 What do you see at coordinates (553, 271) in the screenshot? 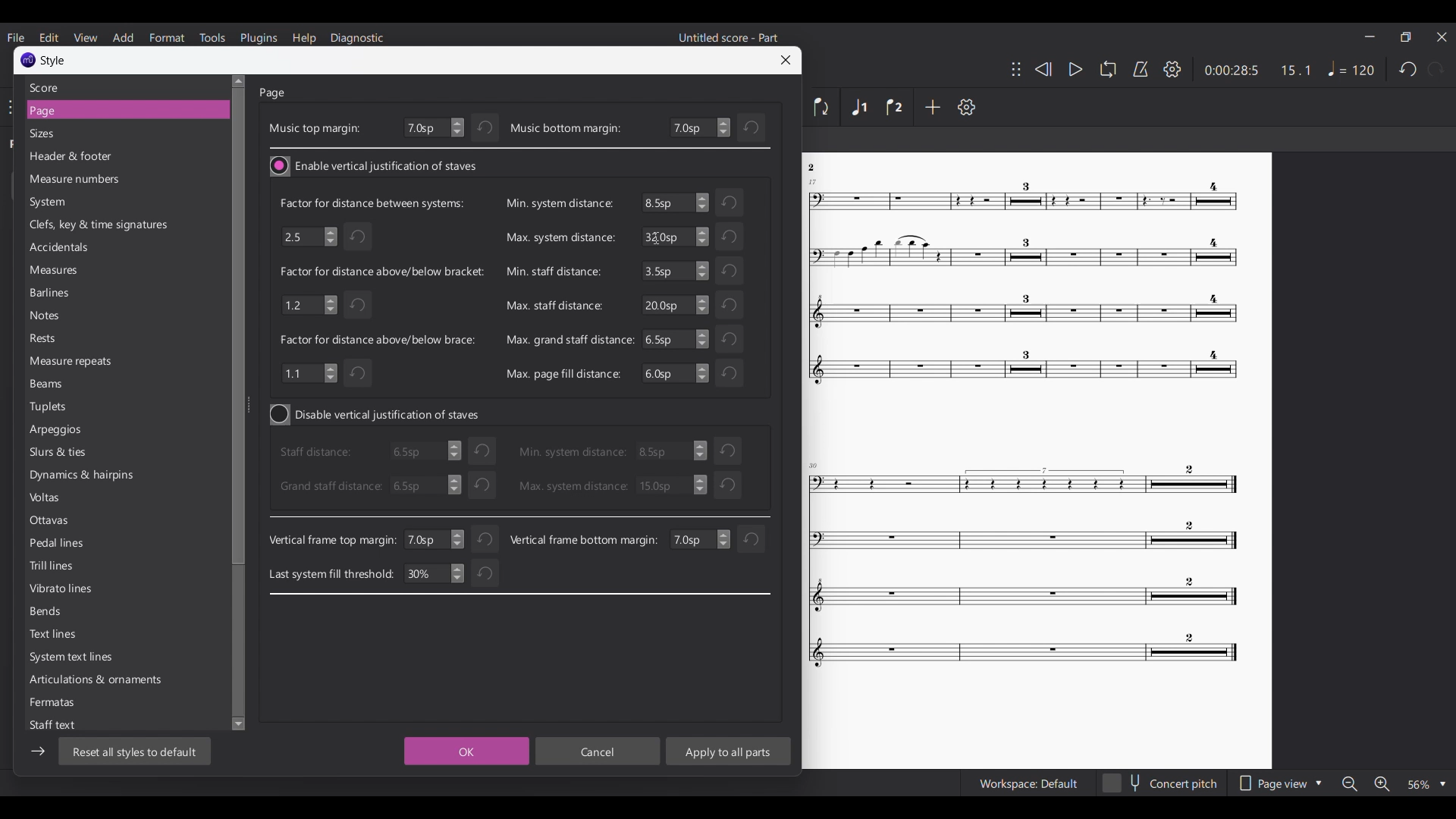
I see `Min. staff distance` at bounding box center [553, 271].